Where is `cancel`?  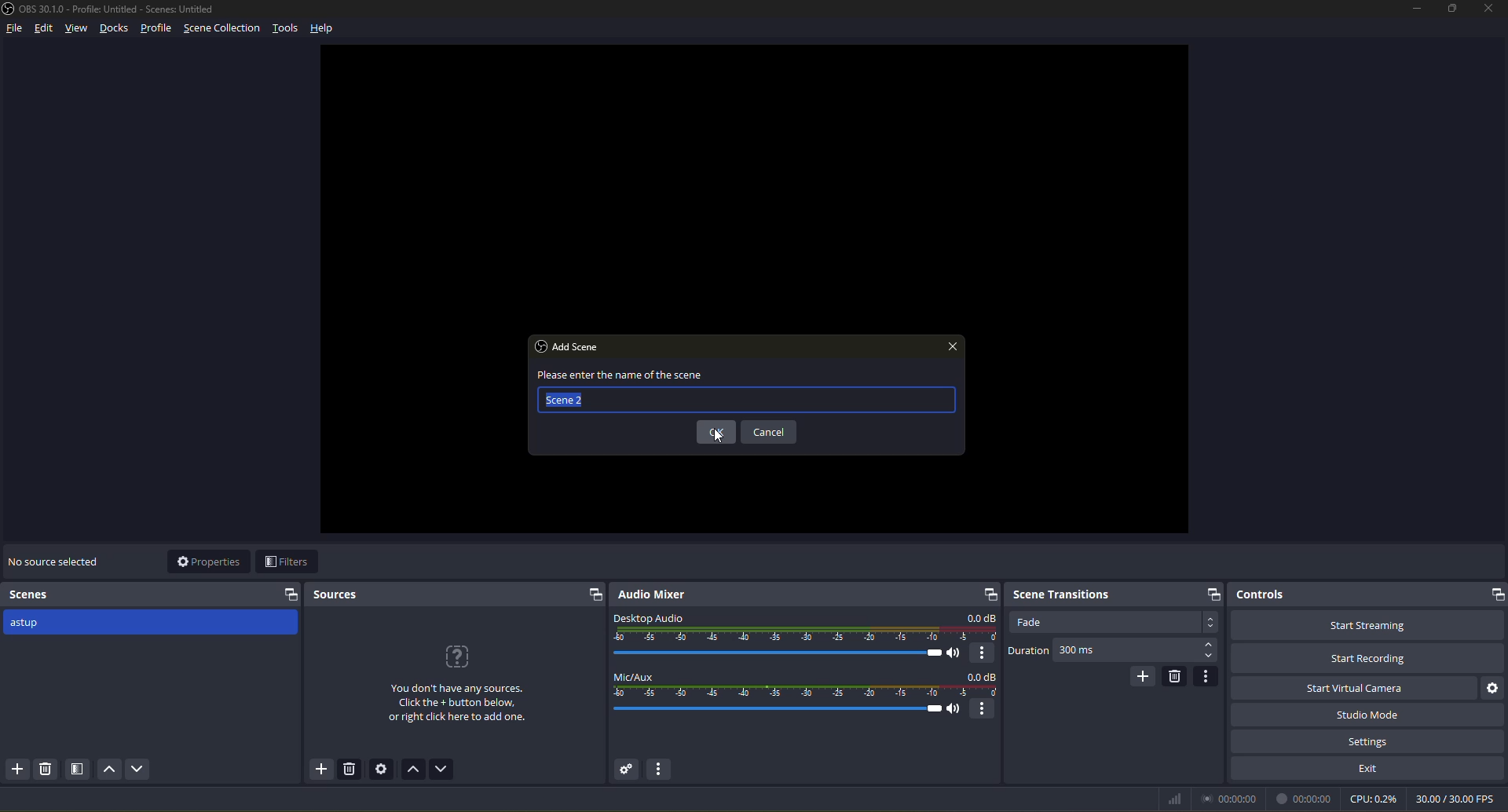
cancel is located at coordinates (771, 431).